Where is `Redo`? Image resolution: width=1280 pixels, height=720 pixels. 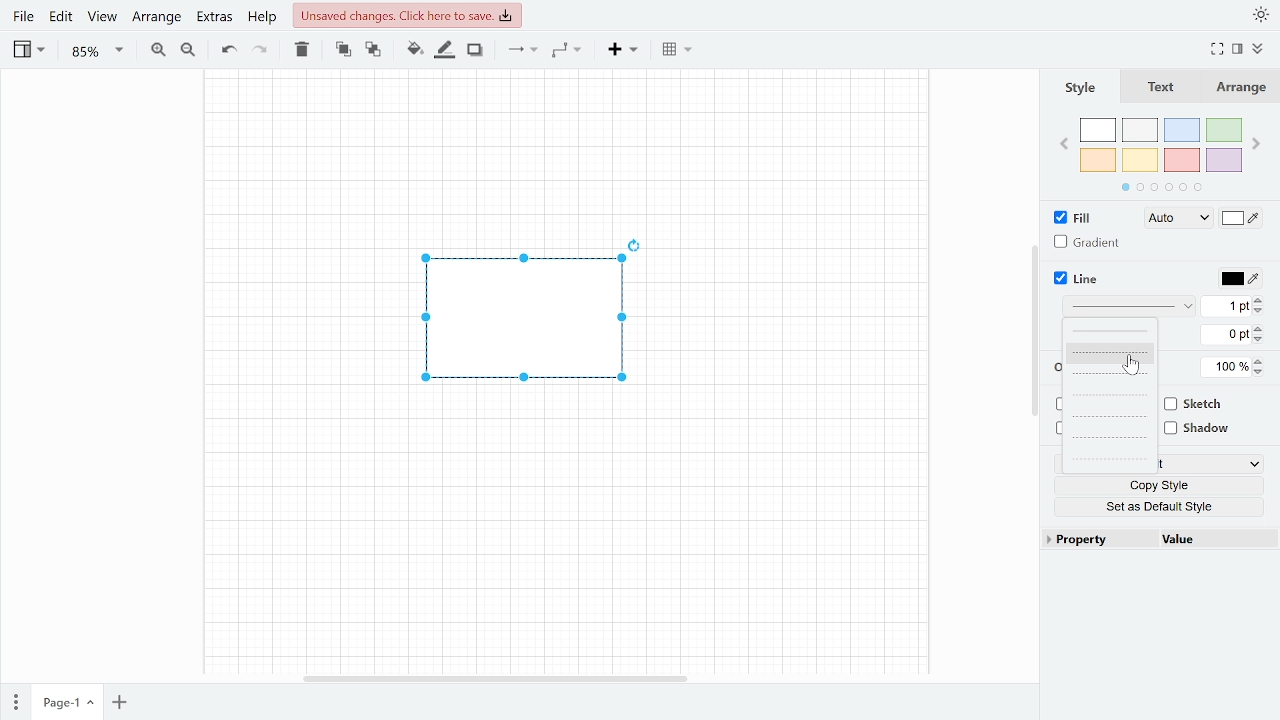
Redo is located at coordinates (261, 50).